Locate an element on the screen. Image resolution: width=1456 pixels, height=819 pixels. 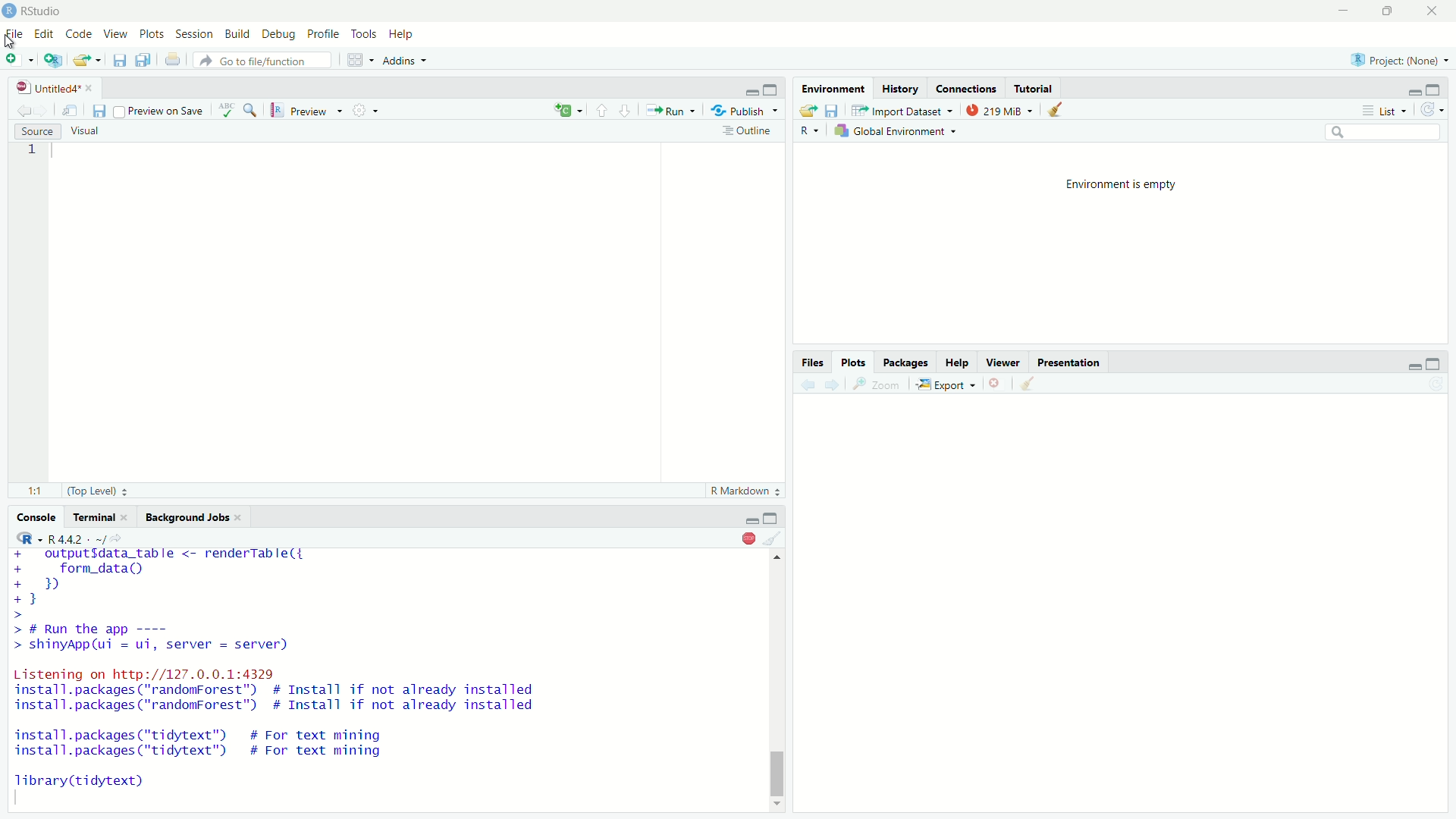
load workspace is located at coordinates (810, 111).